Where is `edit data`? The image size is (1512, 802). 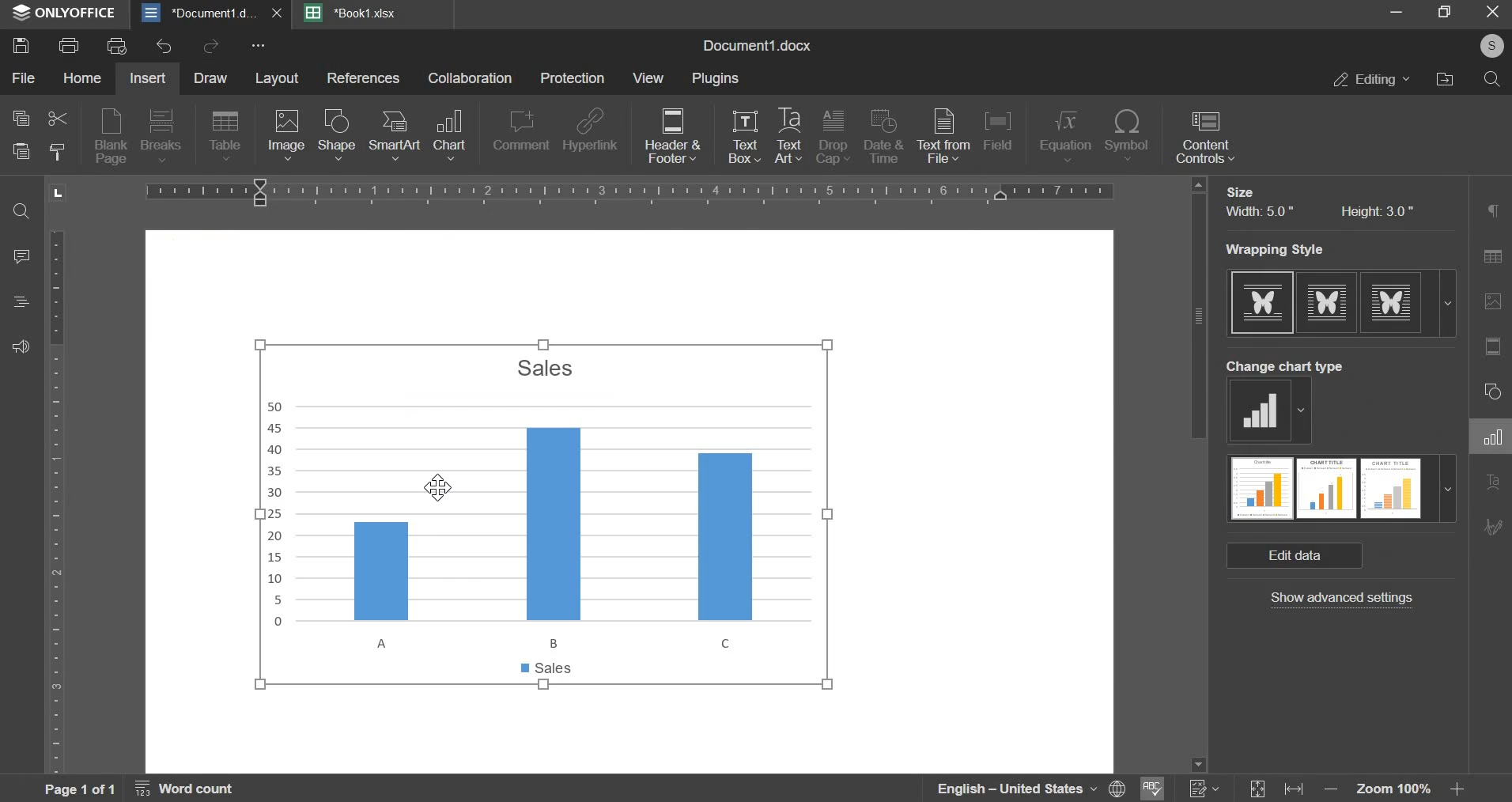 edit data is located at coordinates (1295, 556).